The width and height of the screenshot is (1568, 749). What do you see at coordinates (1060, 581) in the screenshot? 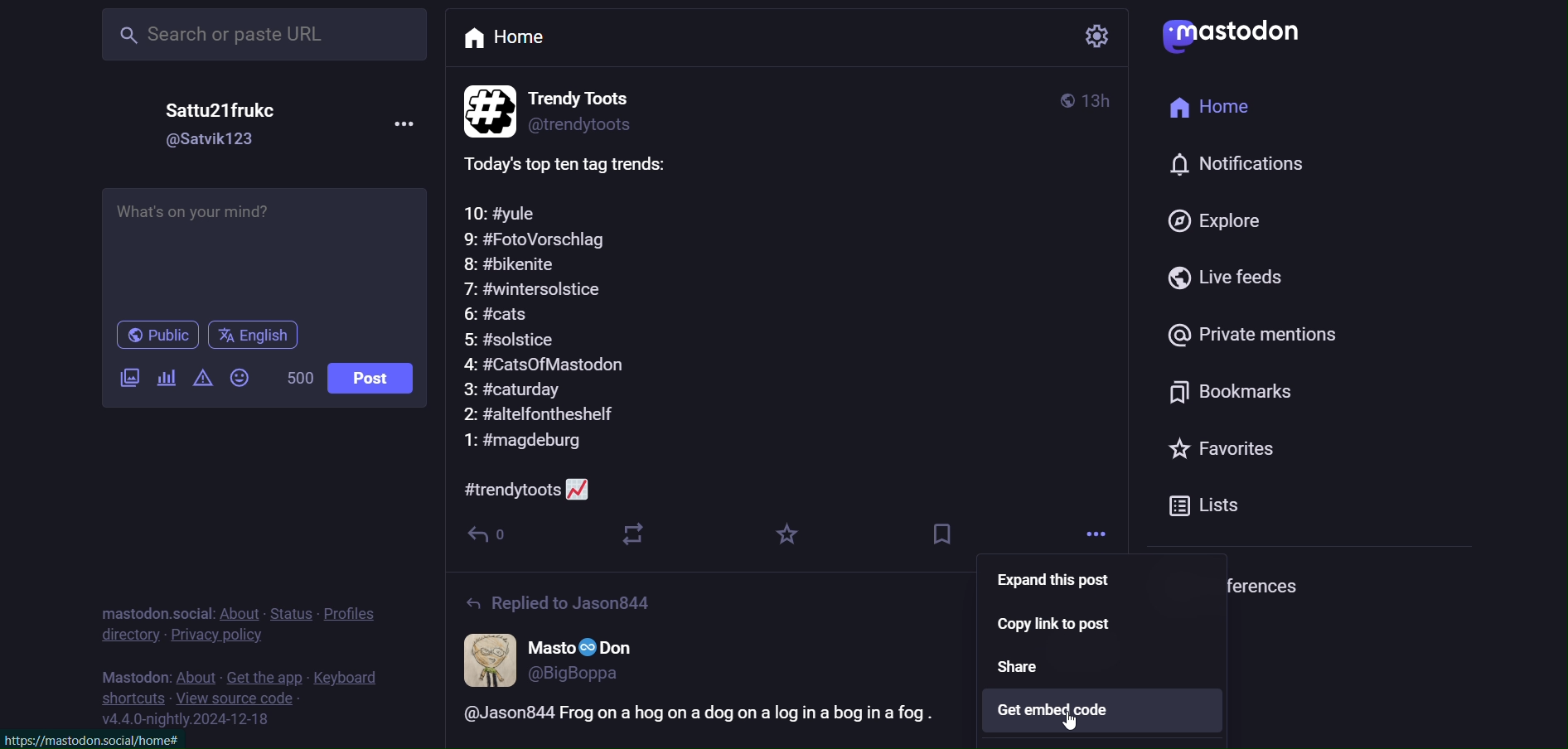
I see `expand this post` at bounding box center [1060, 581].